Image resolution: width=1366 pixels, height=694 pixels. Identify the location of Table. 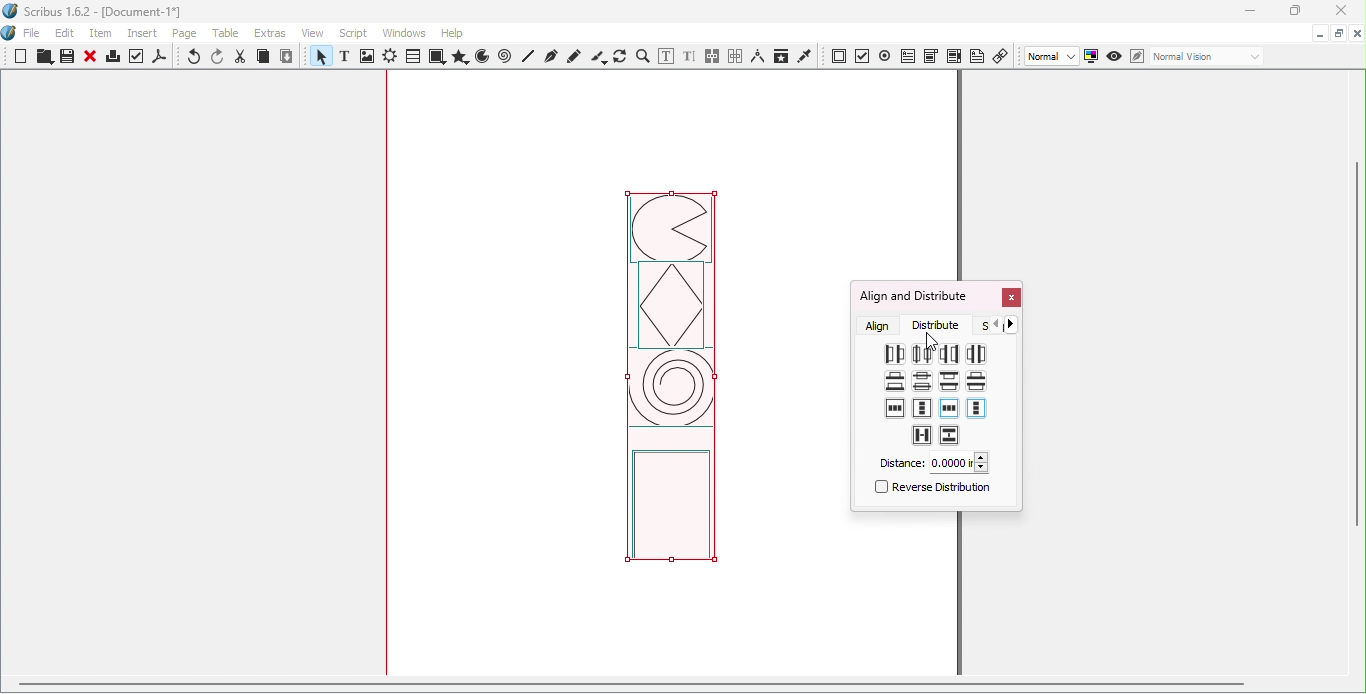
(412, 57).